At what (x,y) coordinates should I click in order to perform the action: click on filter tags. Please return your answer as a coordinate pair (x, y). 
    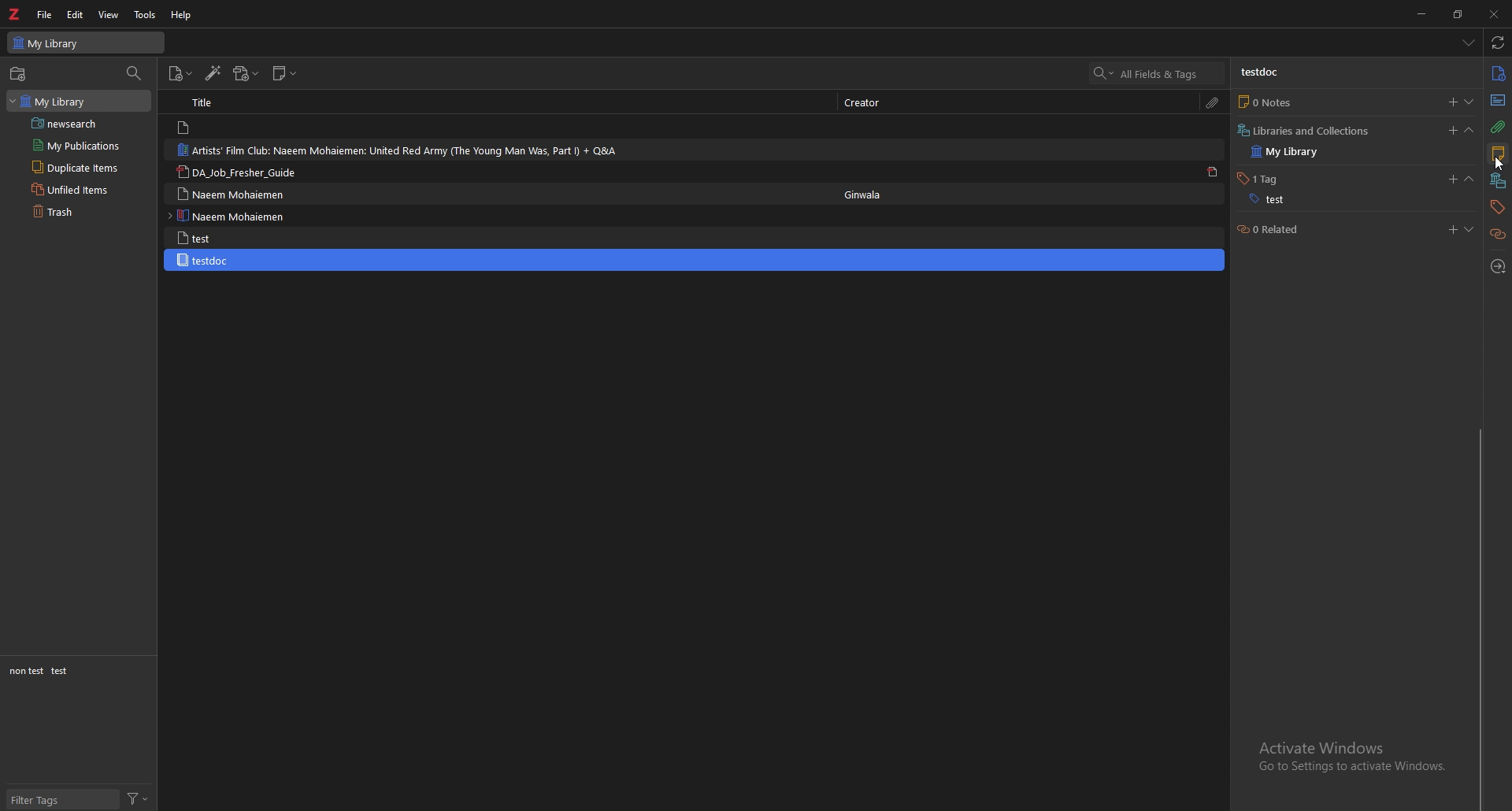
    Looking at the image, I should click on (62, 799).